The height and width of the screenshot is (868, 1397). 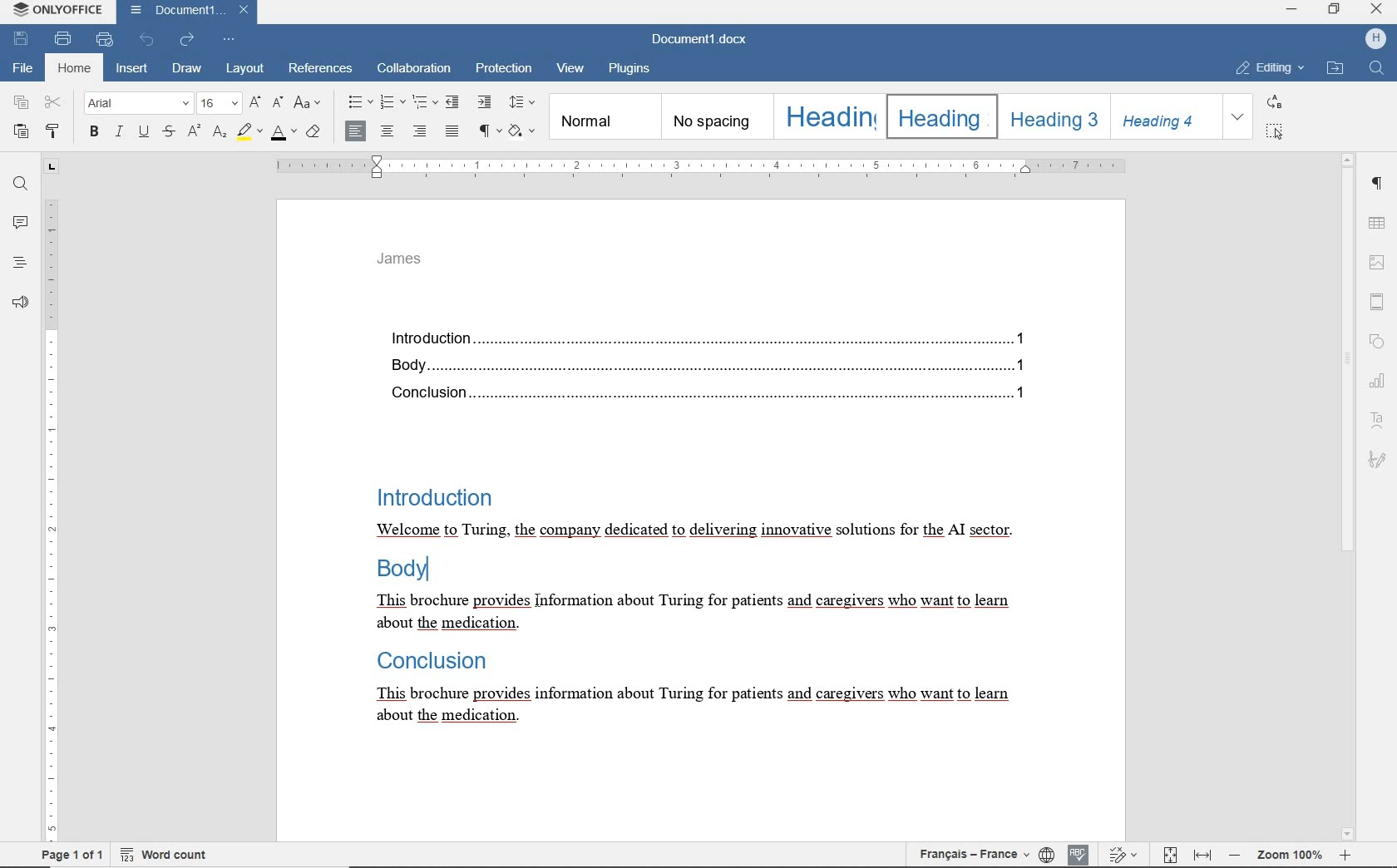 What do you see at coordinates (413, 70) in the screenshot?
I see `COLLABORATION` at bounding box center [413, 70].